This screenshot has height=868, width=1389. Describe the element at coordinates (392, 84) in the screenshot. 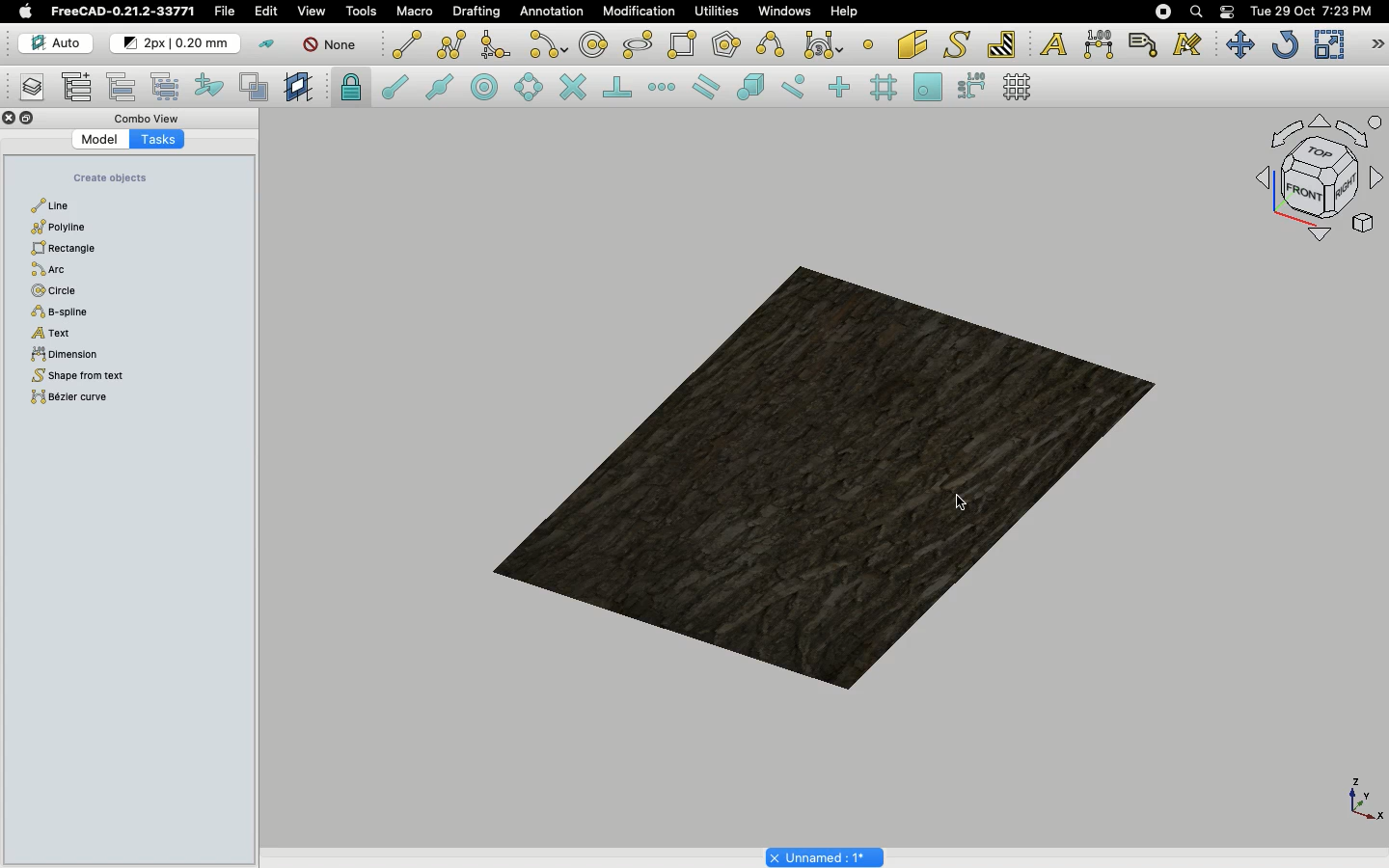

I see `Snap endpoint` at that location.